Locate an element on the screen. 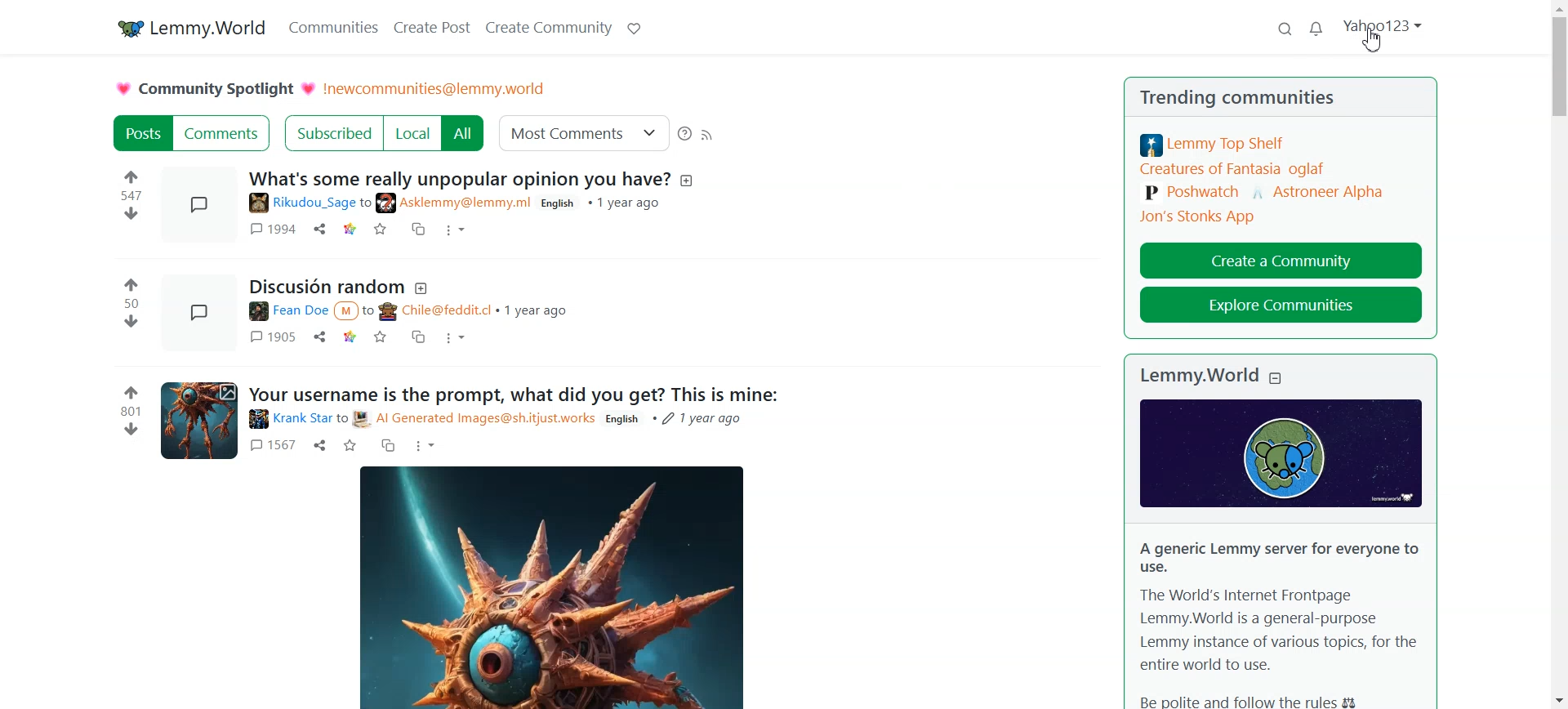 This screenshot has width=1568, height=709. 1905 comments is located at coordinates (271, 337).